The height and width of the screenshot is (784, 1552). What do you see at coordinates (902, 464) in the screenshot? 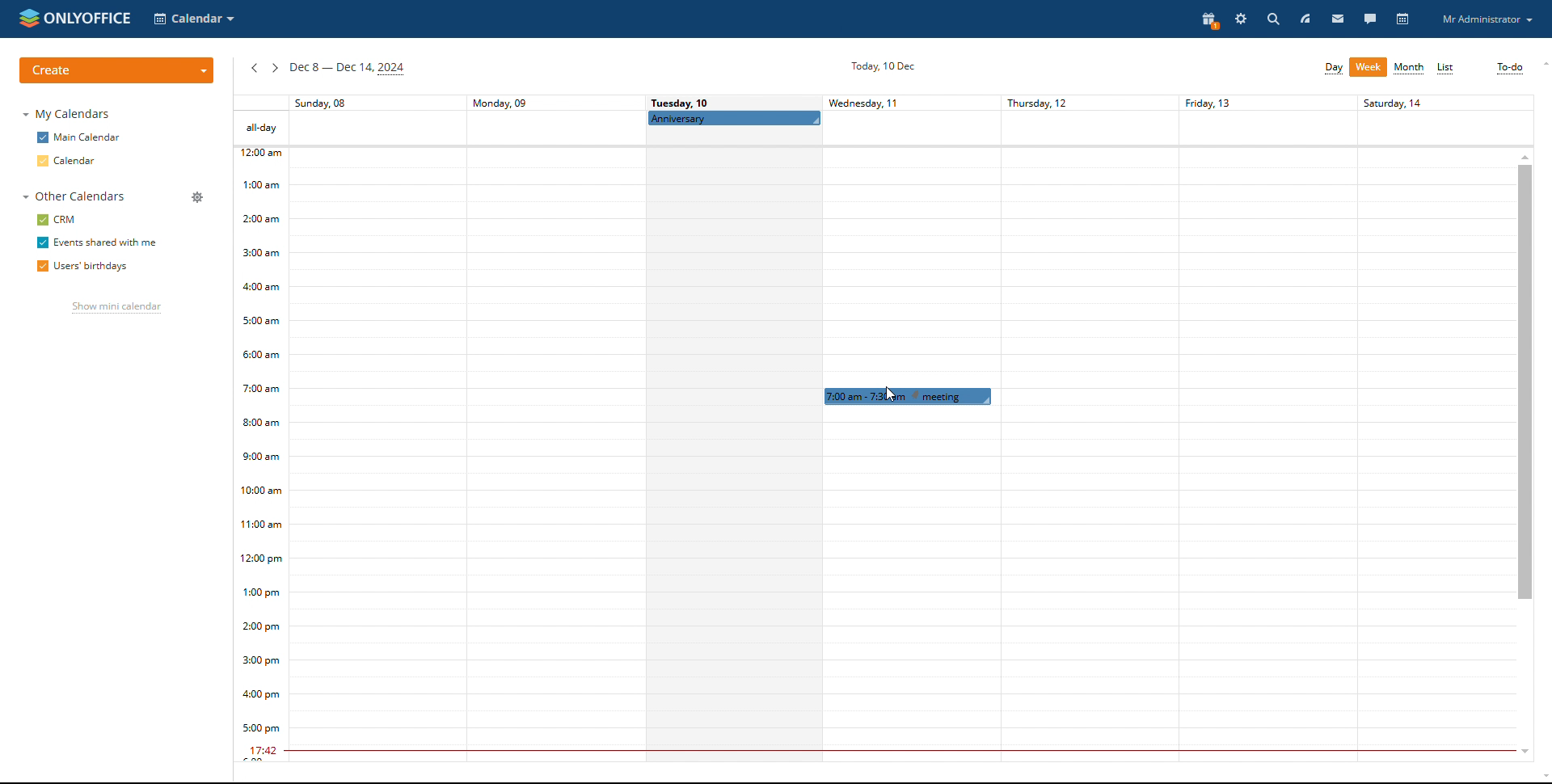
I see `30 min span of the day` at bounding box center [902, 464].